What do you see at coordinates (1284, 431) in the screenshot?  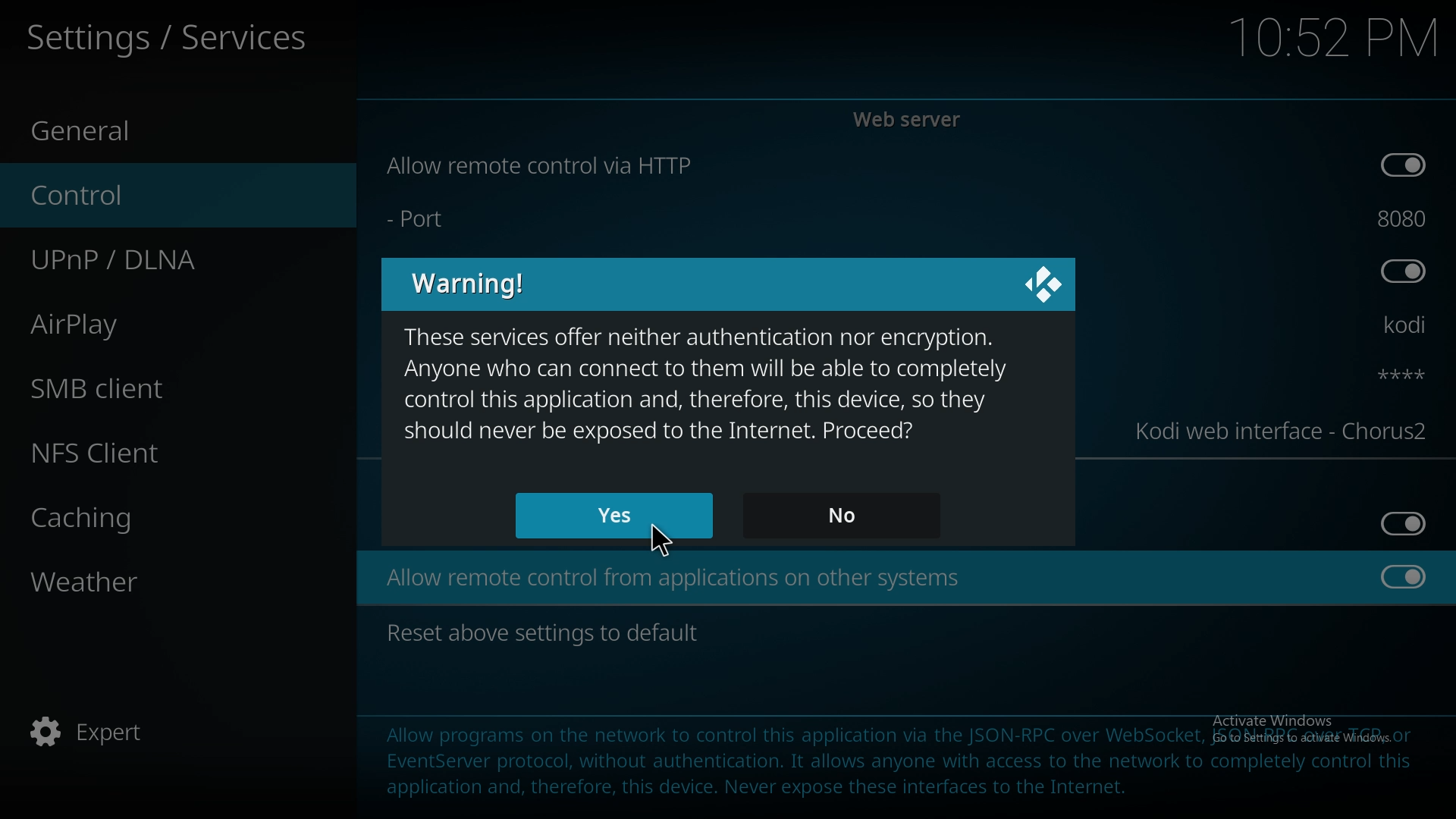 I see `web interface` at bounding box center [1284, 431].